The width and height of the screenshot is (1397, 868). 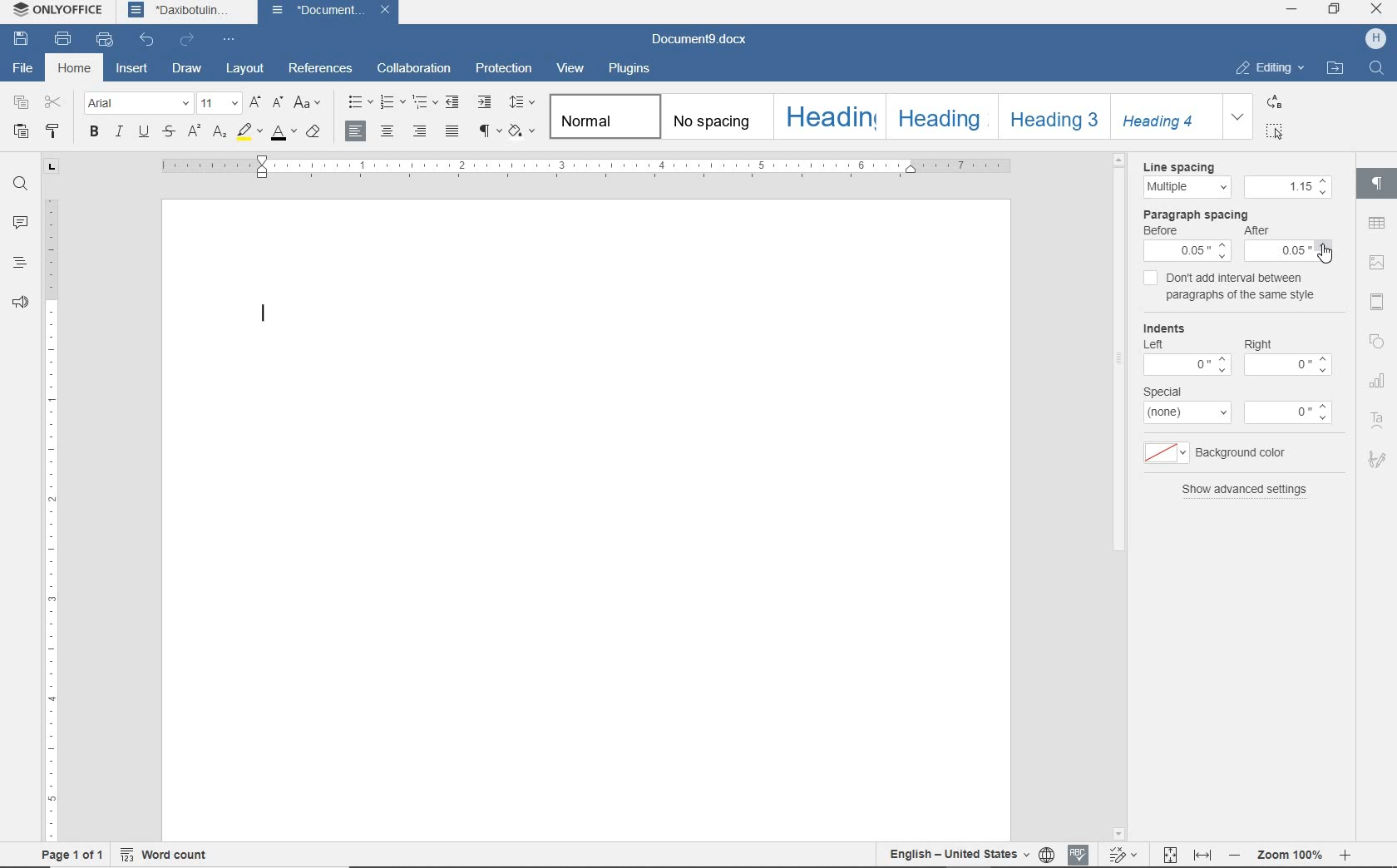 I want to click on bold, so click(x=93, y=133).